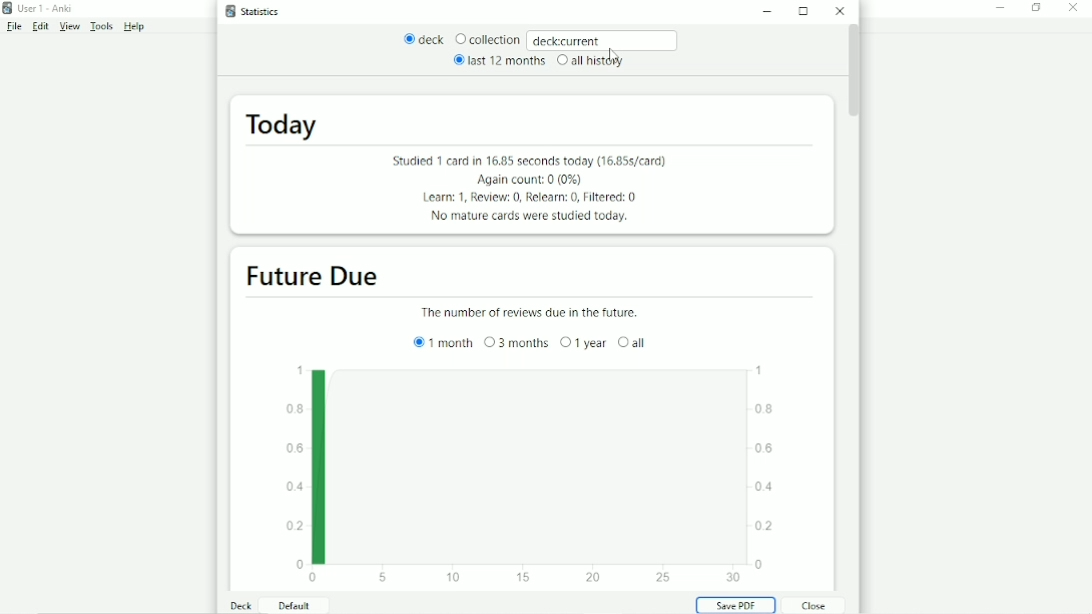  I want to click on Minimize, so click(1001, 8).